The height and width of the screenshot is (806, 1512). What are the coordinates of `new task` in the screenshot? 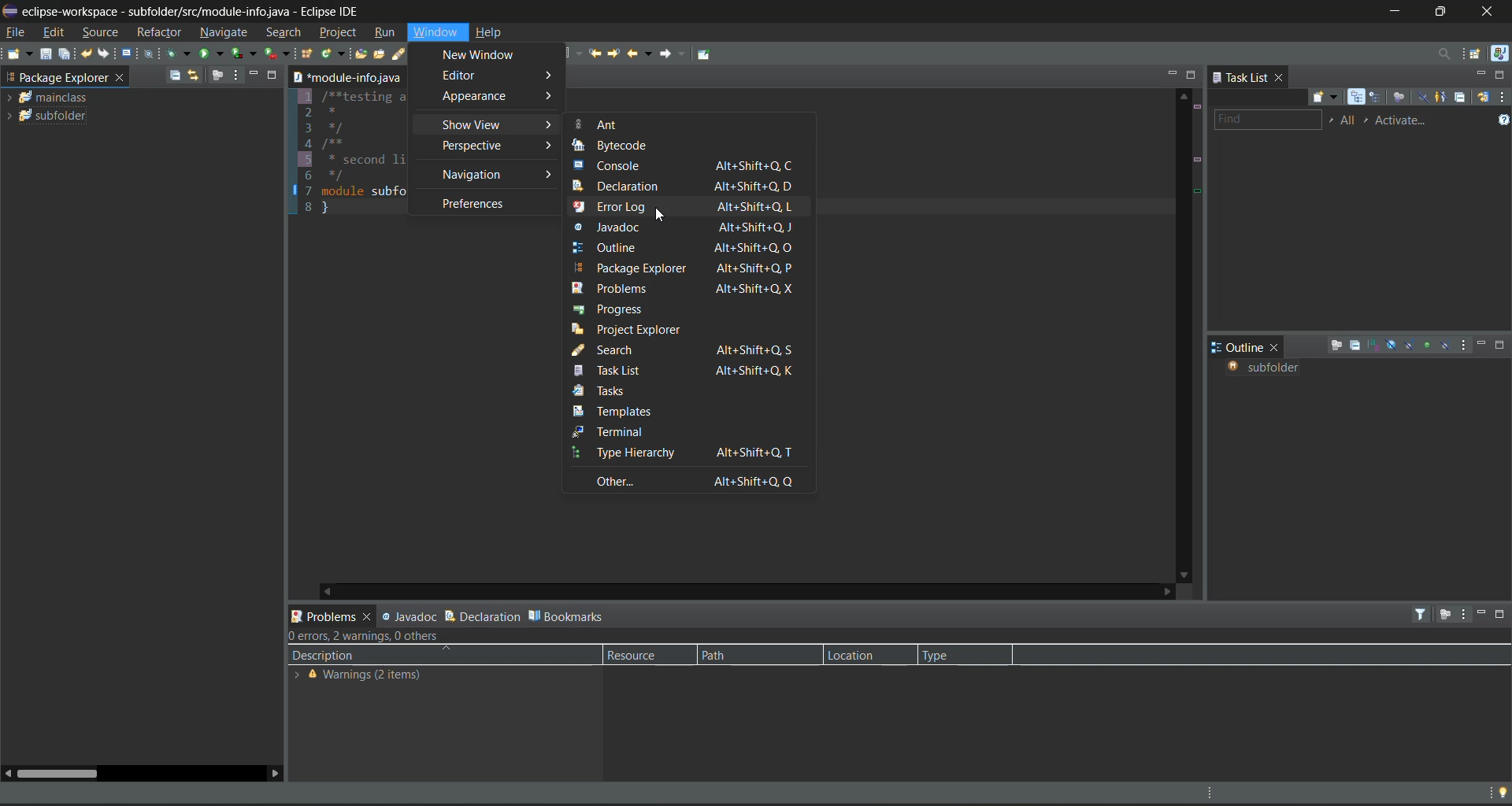 It's located at (1330, 97).